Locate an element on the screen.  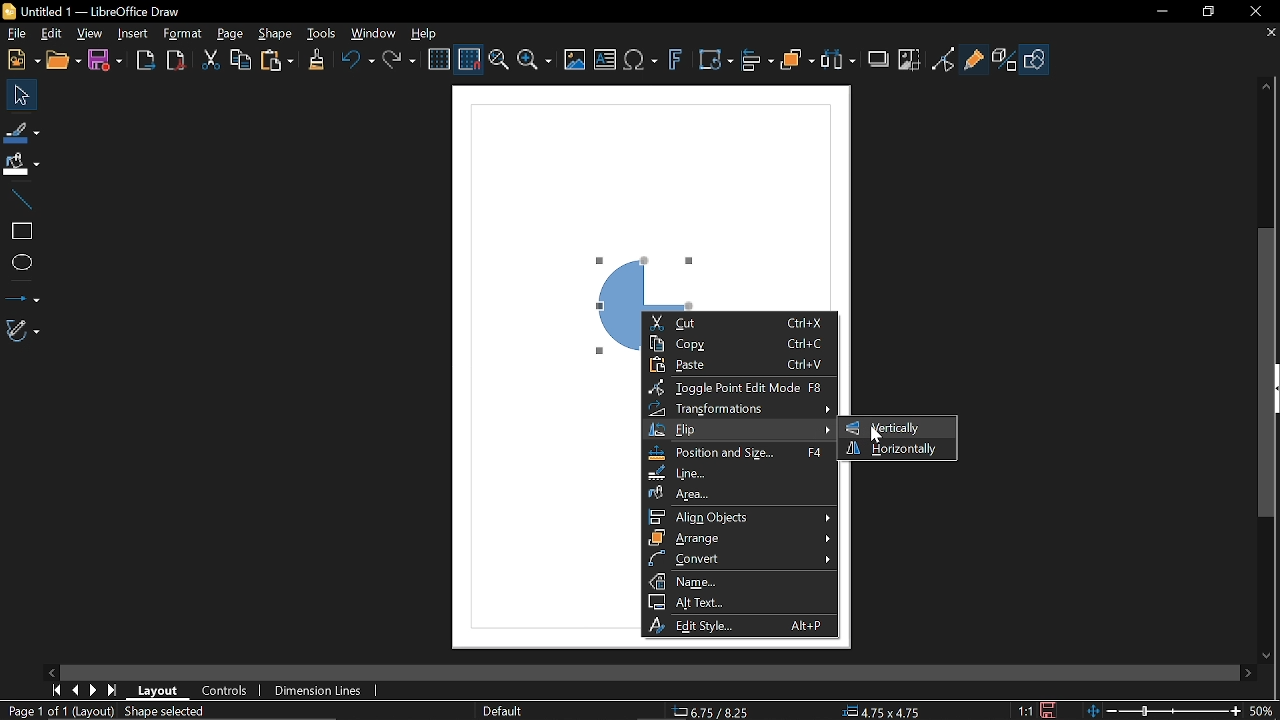
Edit Style   Alt+P is located at coordinates (737, 625).